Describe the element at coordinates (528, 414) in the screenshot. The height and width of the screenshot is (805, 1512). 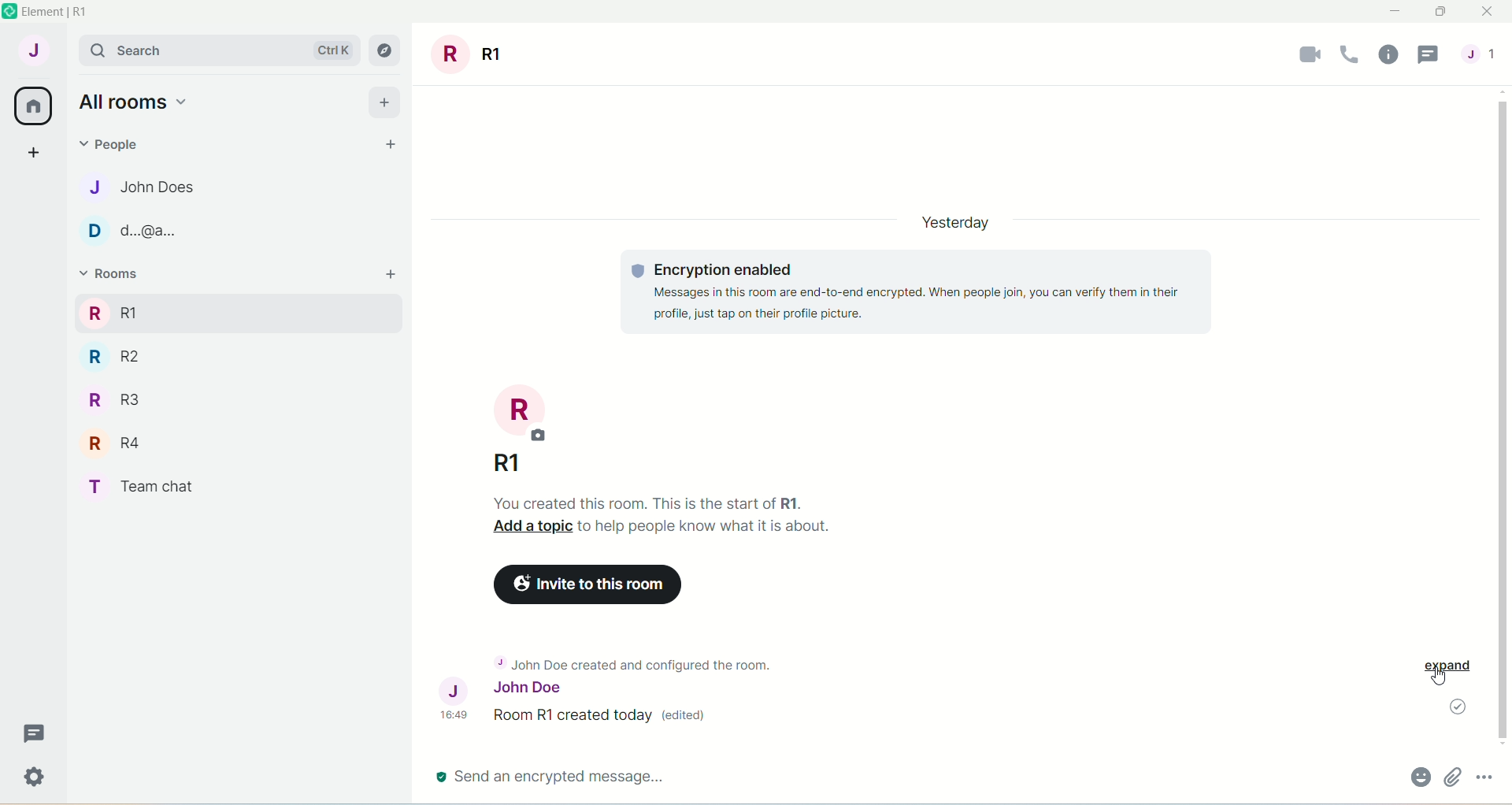
I see `R Profile Pic` at that location.